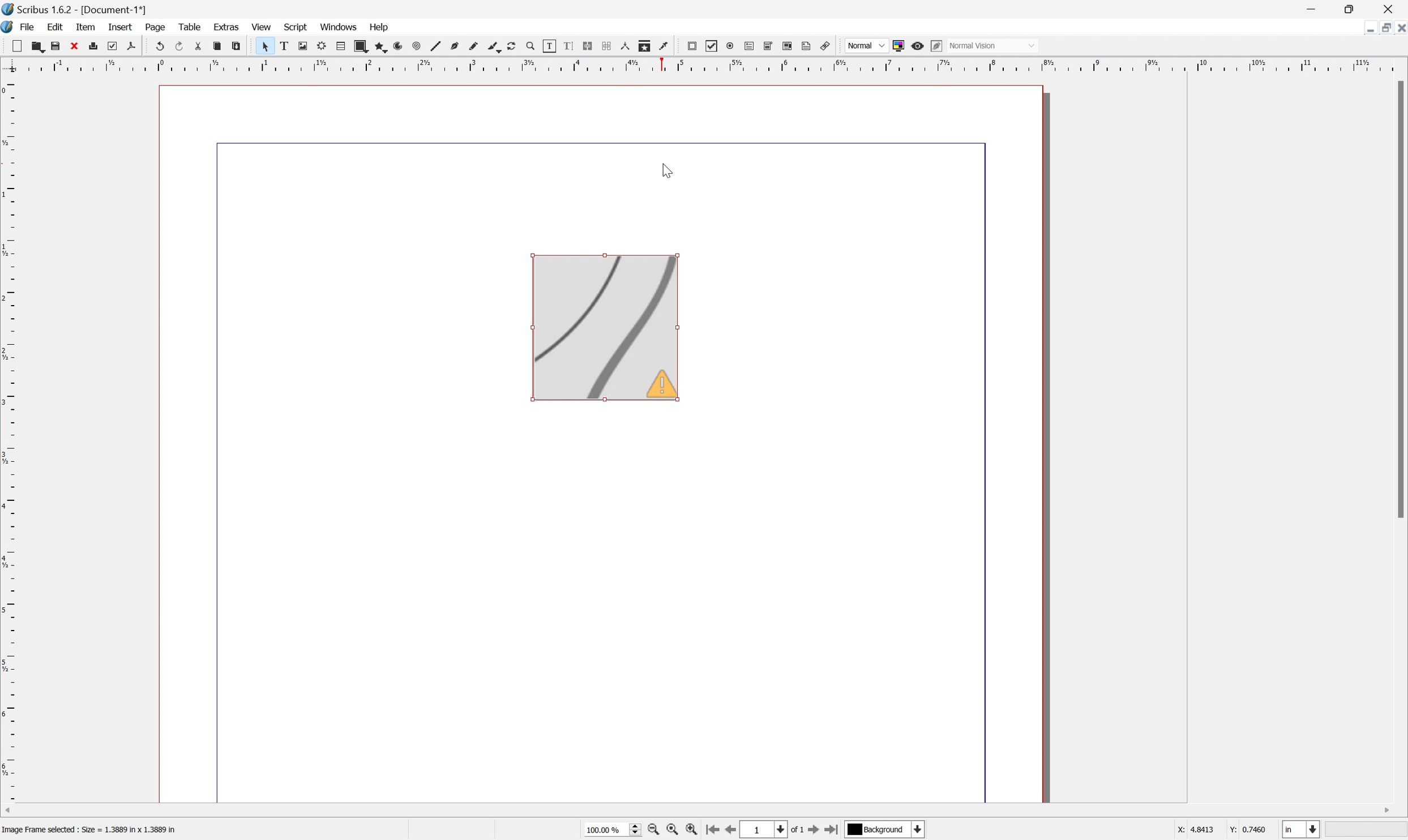 Image resolution: width=1408 pixels, height=840 pixels. Describe the element at coordinates (115, 47) in the screenshot. I see `Preflight verifier` at that location.